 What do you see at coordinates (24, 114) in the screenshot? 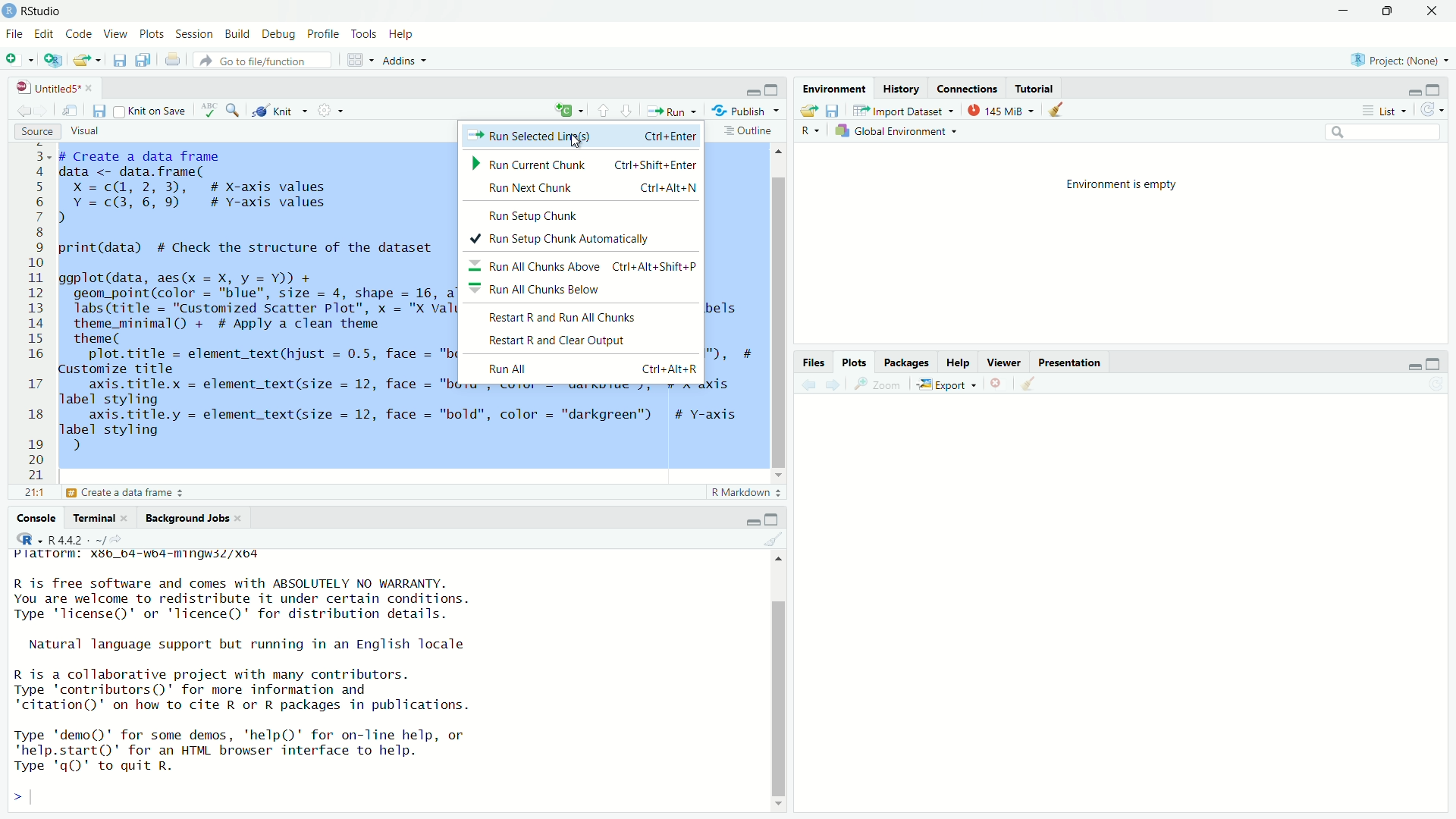
I see `Go back to the previous source location` at bounding box center [24, 114].